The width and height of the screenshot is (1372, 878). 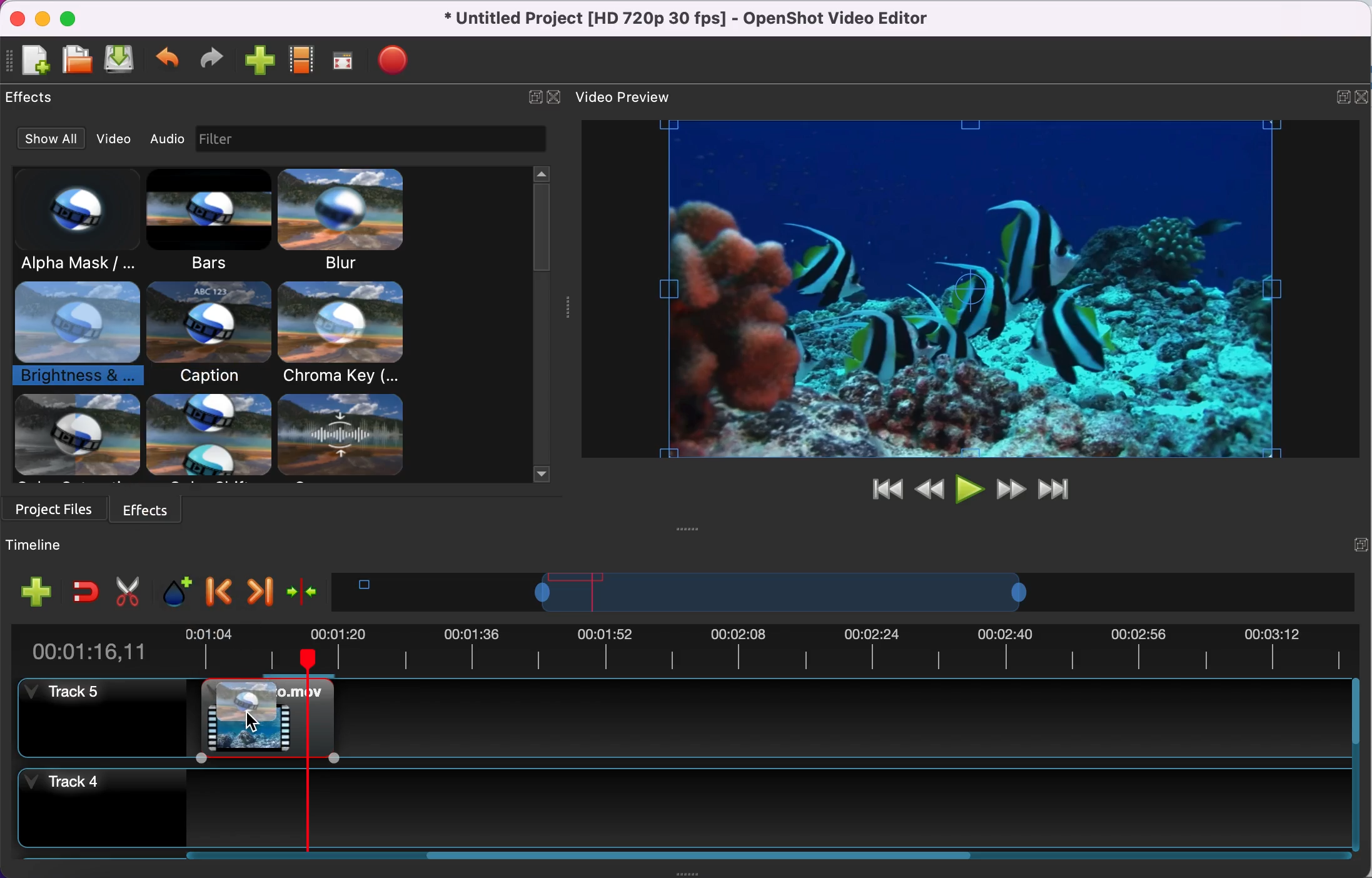 What do you see at coordinates (393, 139) in the screenshot?
I see `filtr` at bounding box center [393, 139].